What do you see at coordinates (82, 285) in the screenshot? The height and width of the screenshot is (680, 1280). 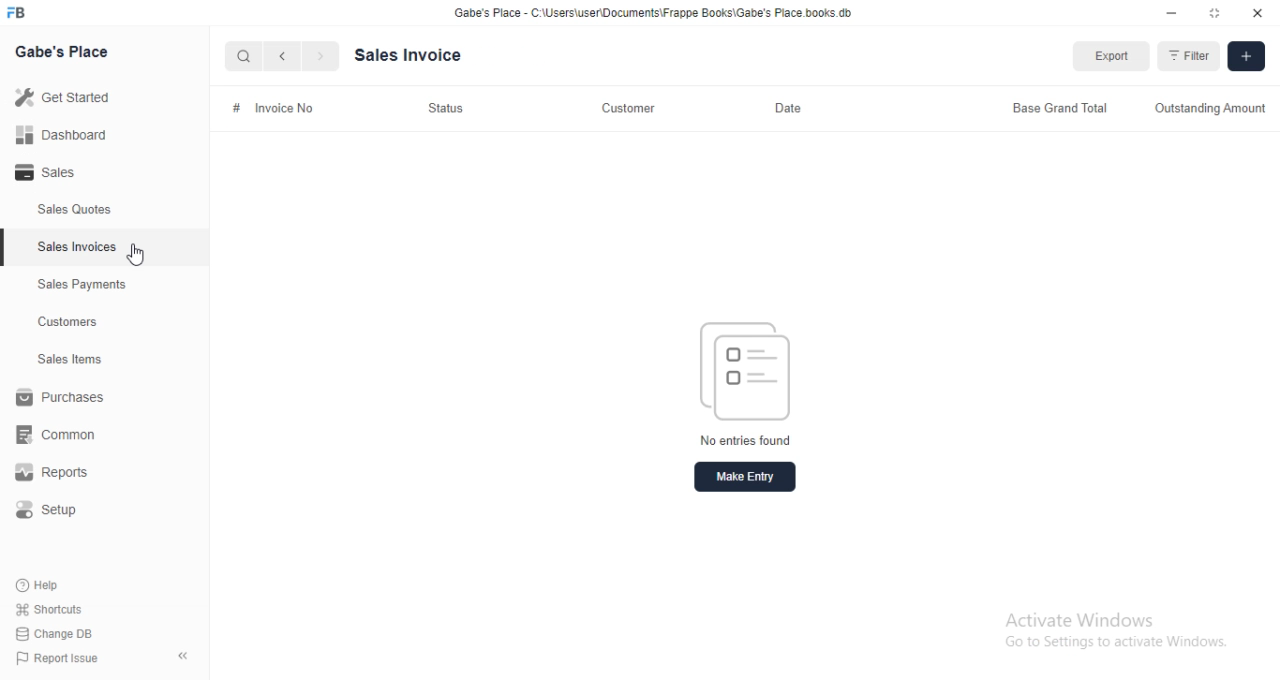 I see `Sales Payments` at bounding box center [82, 285].